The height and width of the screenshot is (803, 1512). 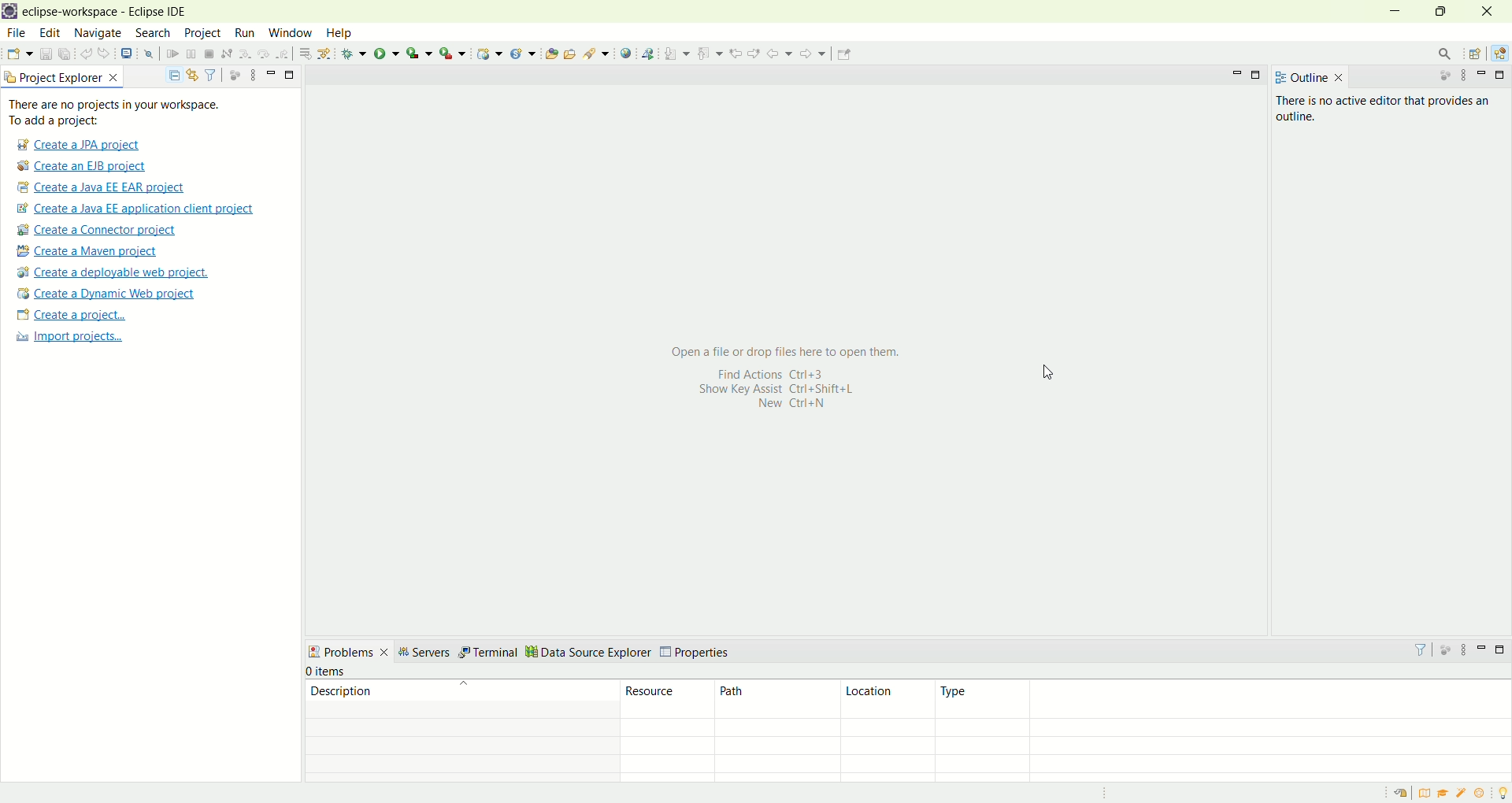 What do you see at coordinates (650, 54) in the screenshot?
I see `launch web service explorer` at bounding box center [650, 54].